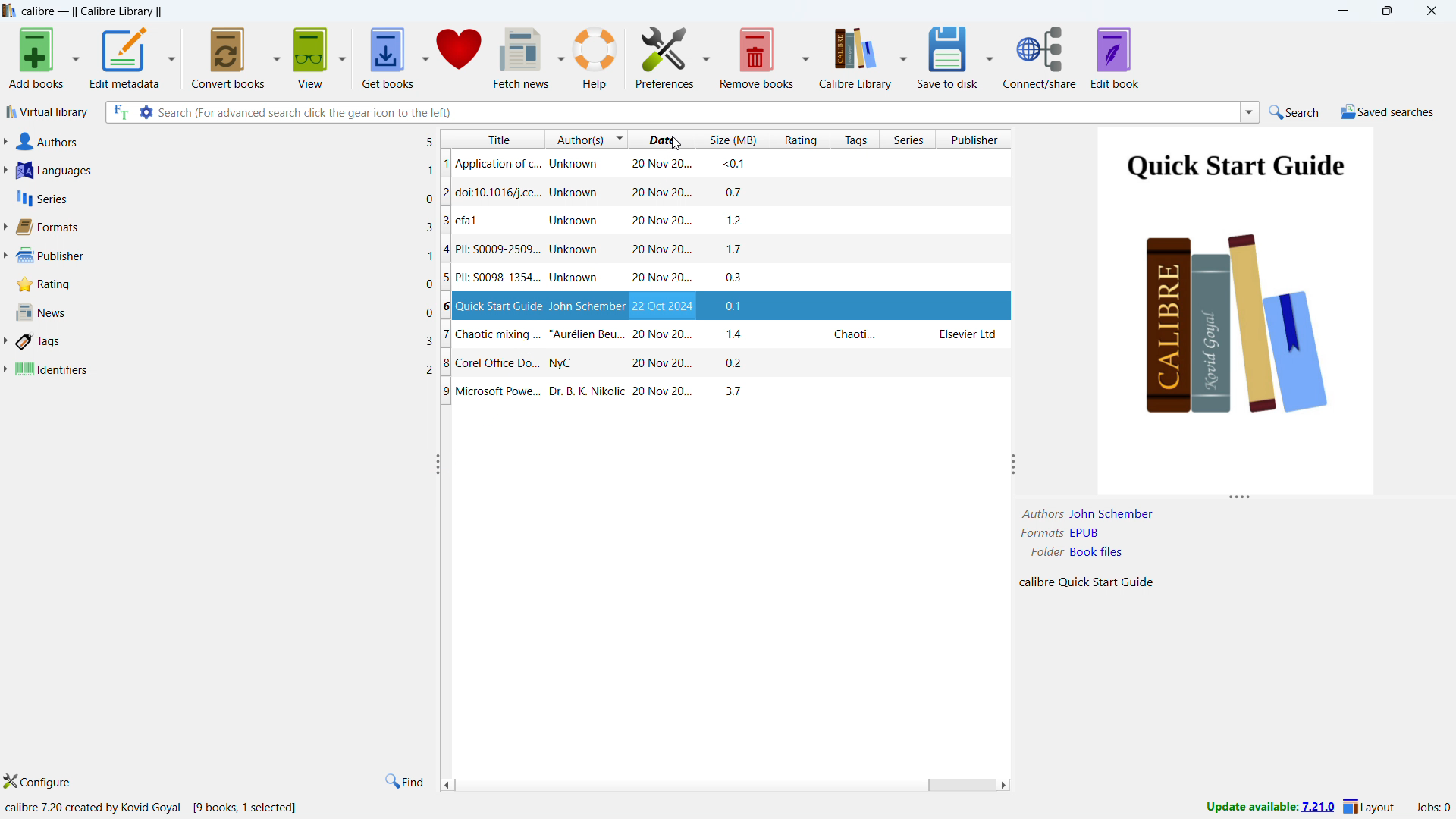 This screenshot has height=819, width=1456. What do you see at coordinates (490, 365) in the screenshot?
I see `8 Corel Office Do...` at bounding box center [490, 365].